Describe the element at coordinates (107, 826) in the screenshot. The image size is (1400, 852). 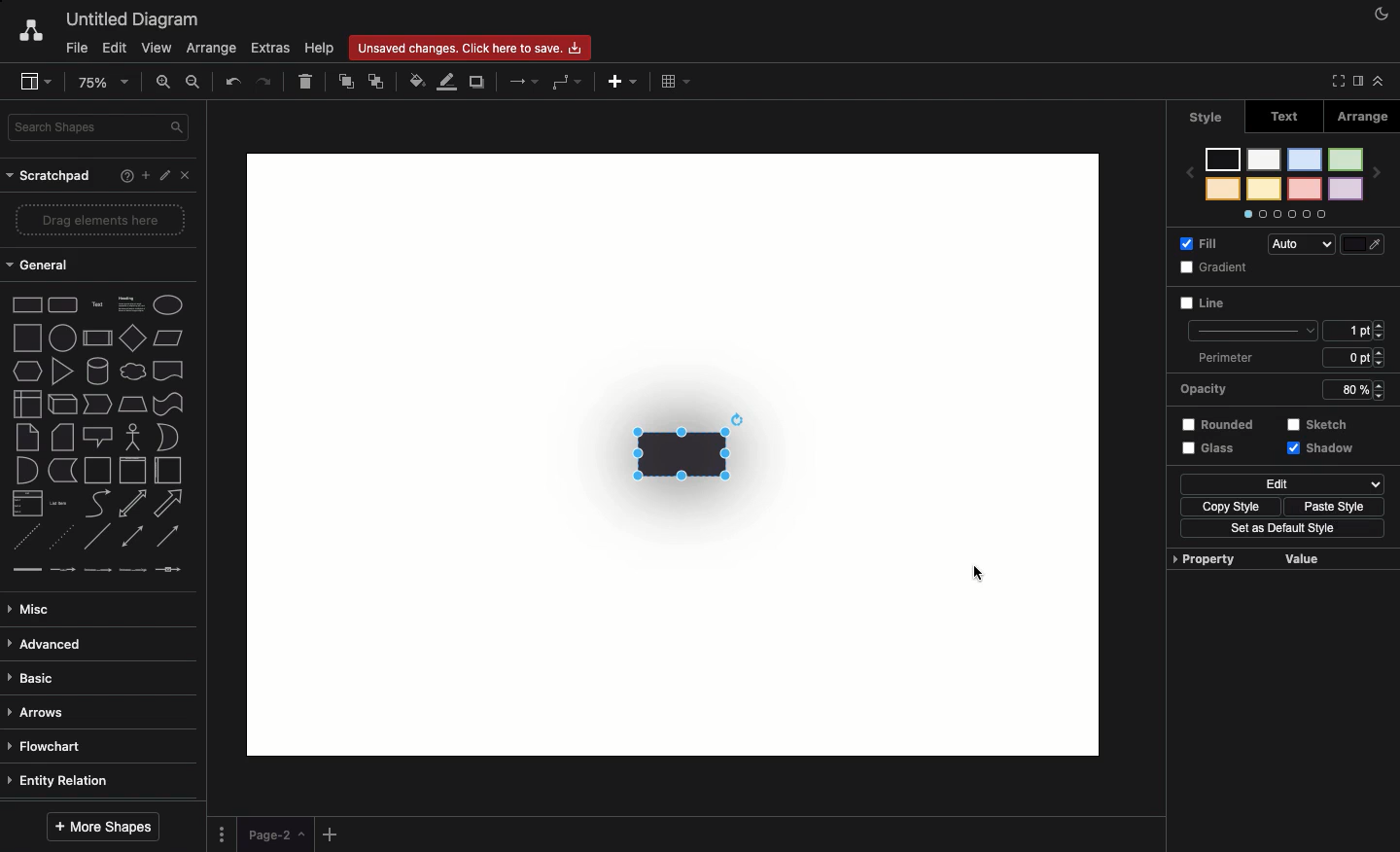
I see `More shapes` at that location.